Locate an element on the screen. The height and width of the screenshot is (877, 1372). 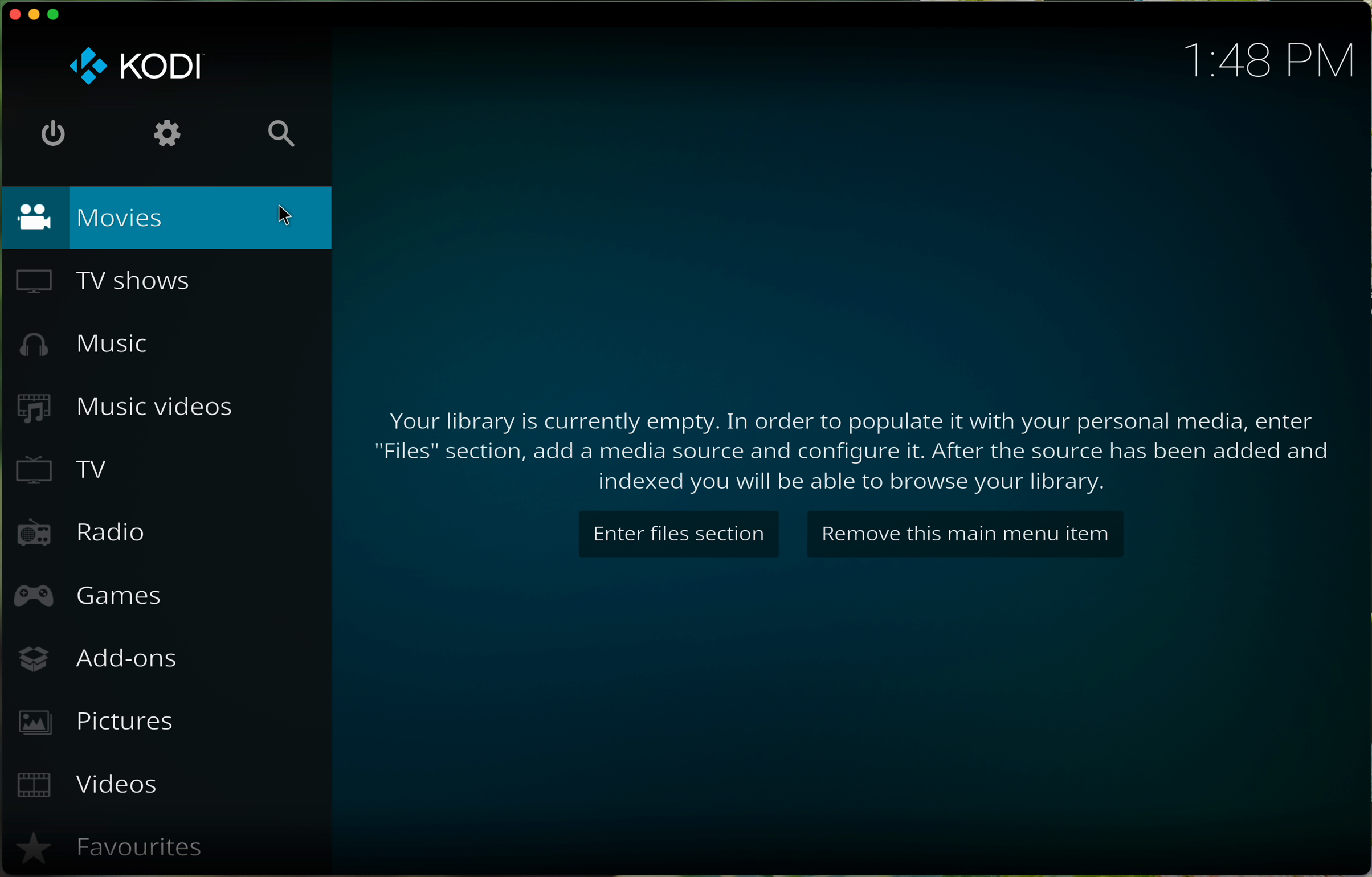
music videos is located at coordinates (126, 409).